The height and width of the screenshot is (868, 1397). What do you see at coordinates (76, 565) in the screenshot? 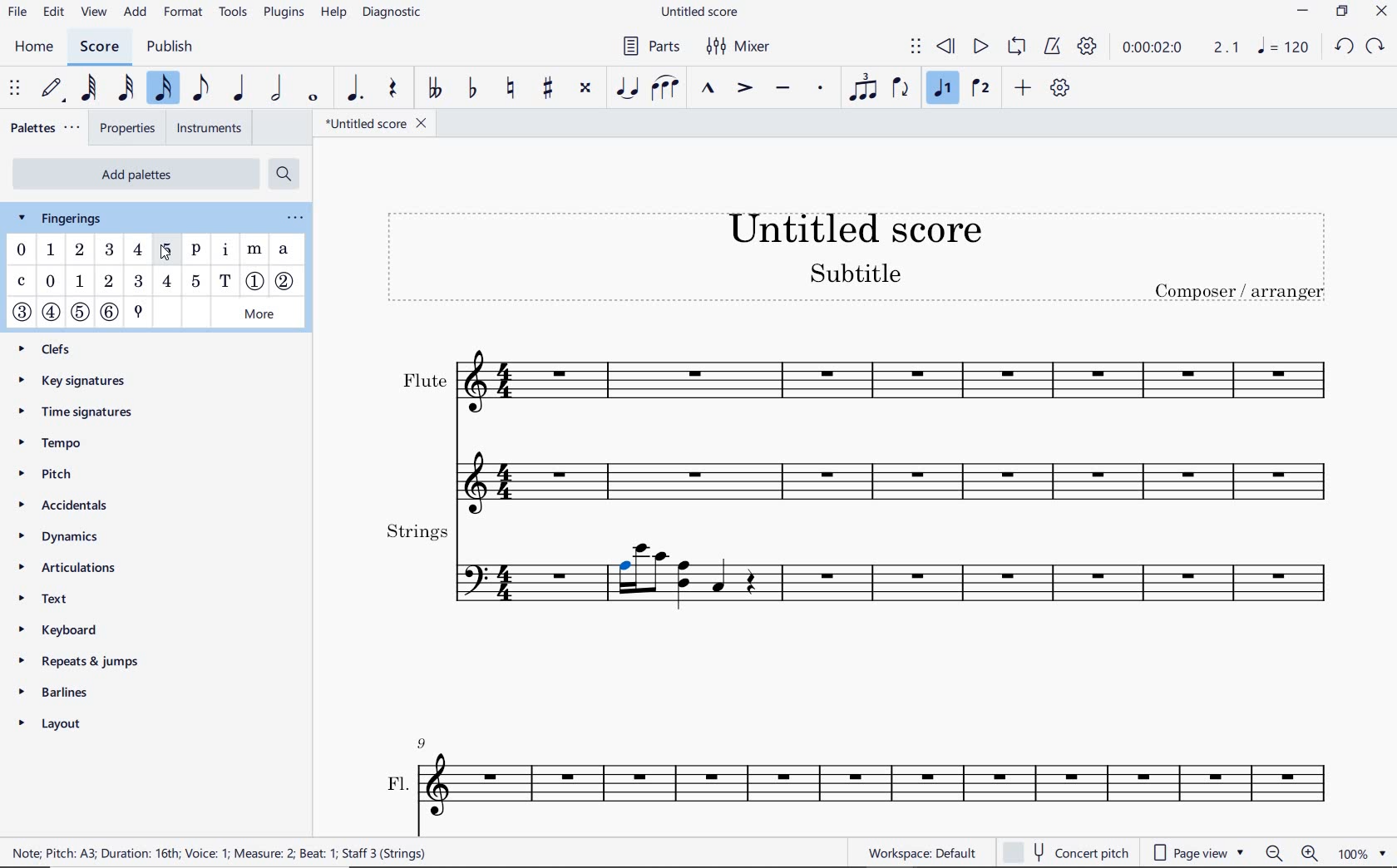
I see `articulations` at bounding box center [76, 565].